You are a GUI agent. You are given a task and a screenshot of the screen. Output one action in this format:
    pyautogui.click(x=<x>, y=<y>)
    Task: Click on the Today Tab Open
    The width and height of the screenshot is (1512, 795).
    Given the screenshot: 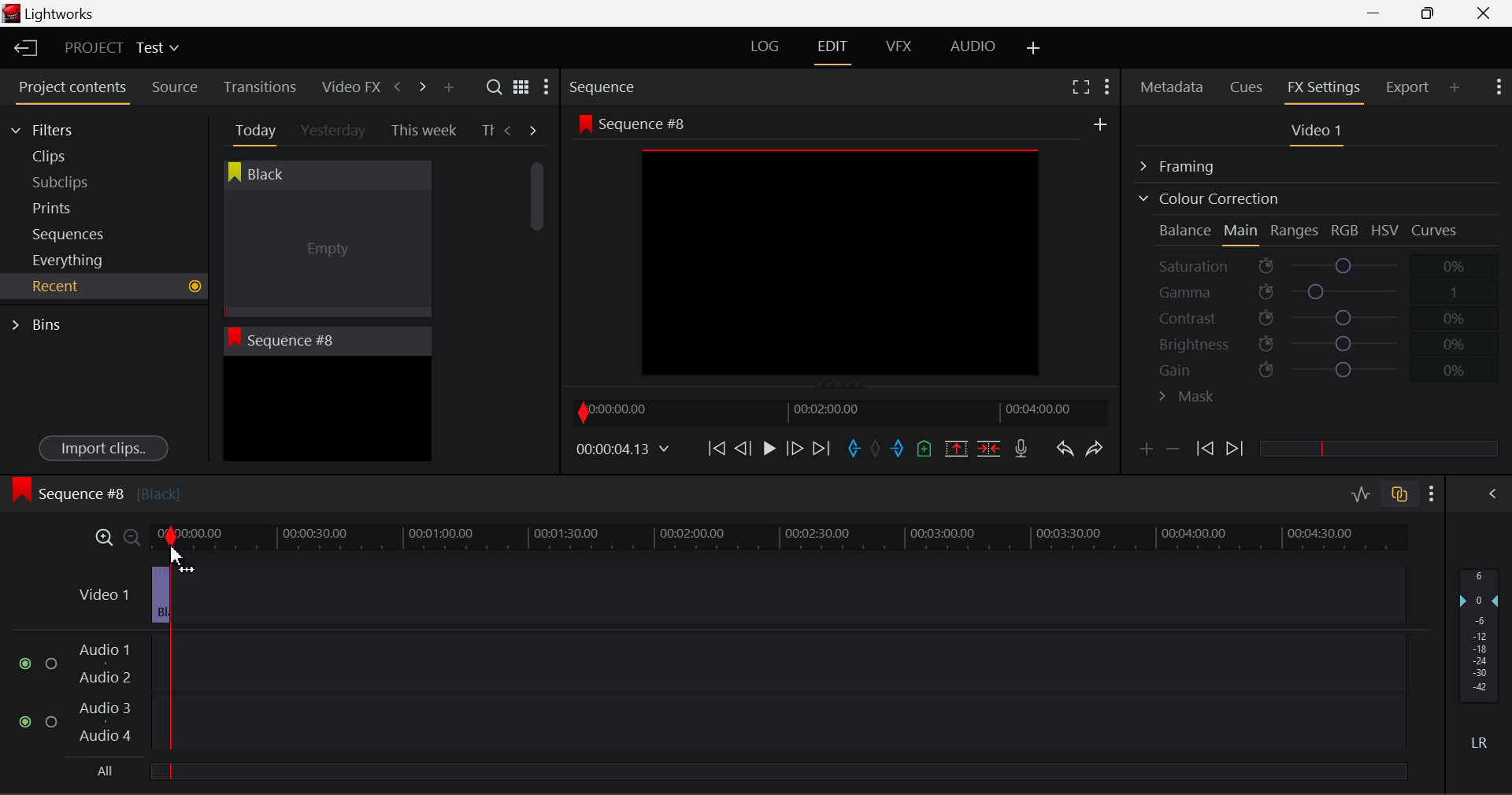 What is the action you would take?
    pyautogui.click(x=252, y=130)
    